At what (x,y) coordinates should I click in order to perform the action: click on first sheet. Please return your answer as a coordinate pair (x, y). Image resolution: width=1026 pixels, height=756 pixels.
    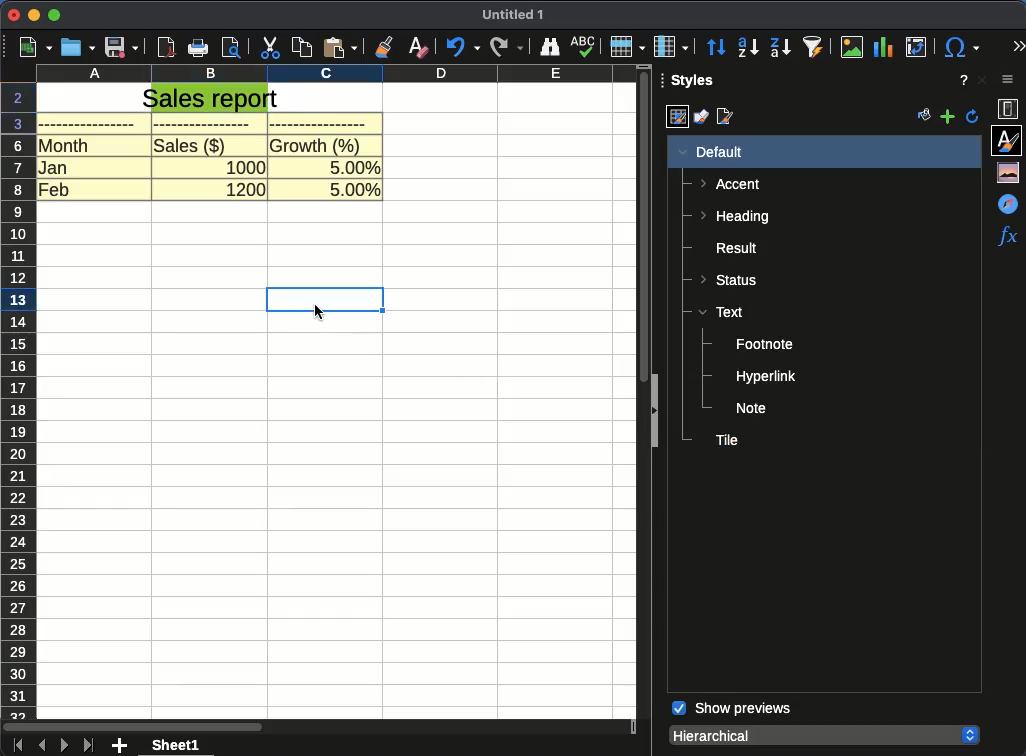
    Looking at the image, I should click on (16, 746).